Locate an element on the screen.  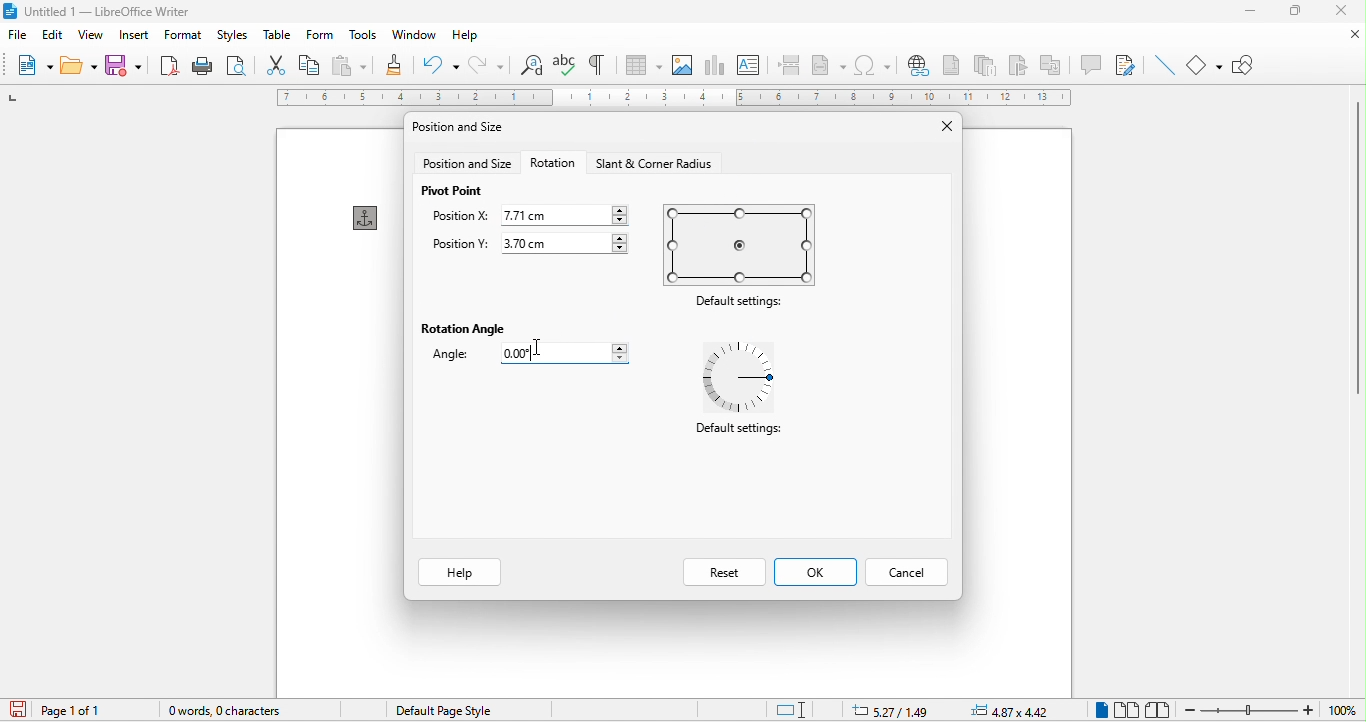
7.71 cm is located at coordinates (567, 214).